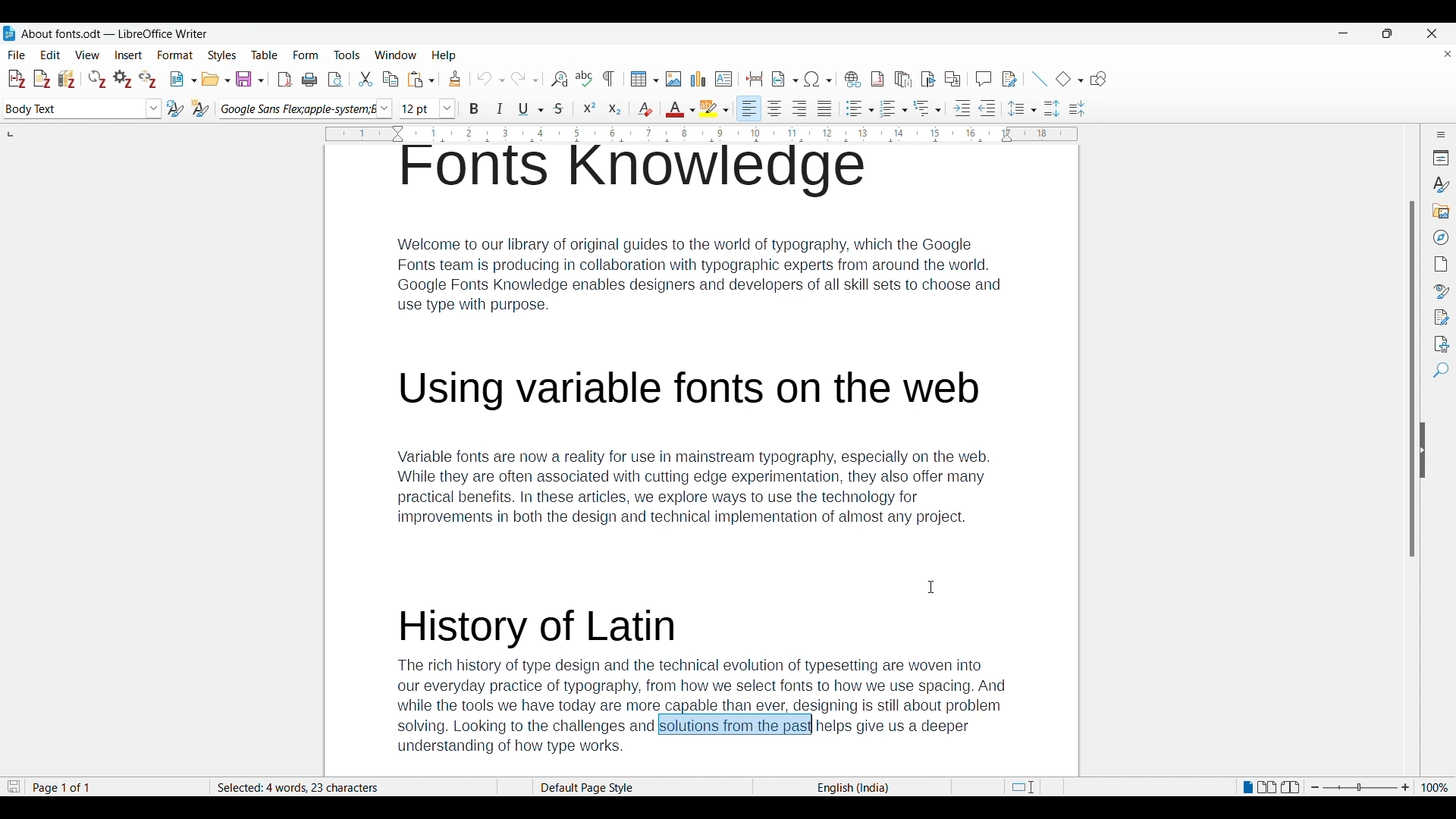 The height and width of the screenshot is (819, 1456). I want to click on Type in text size, so click(419, 109).